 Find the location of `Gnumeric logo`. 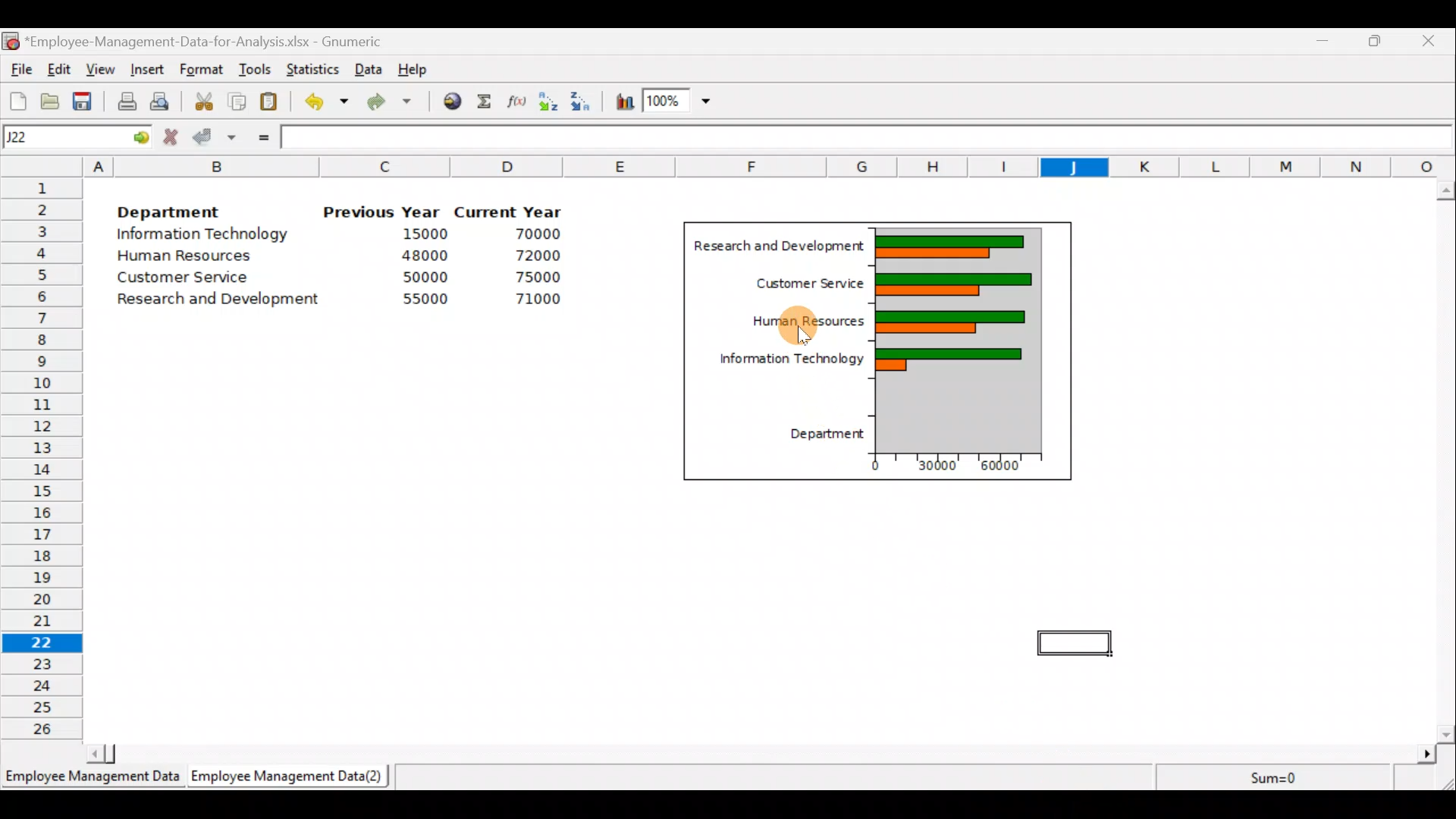

Gnumeric logo is located at coordinates (12, 41).